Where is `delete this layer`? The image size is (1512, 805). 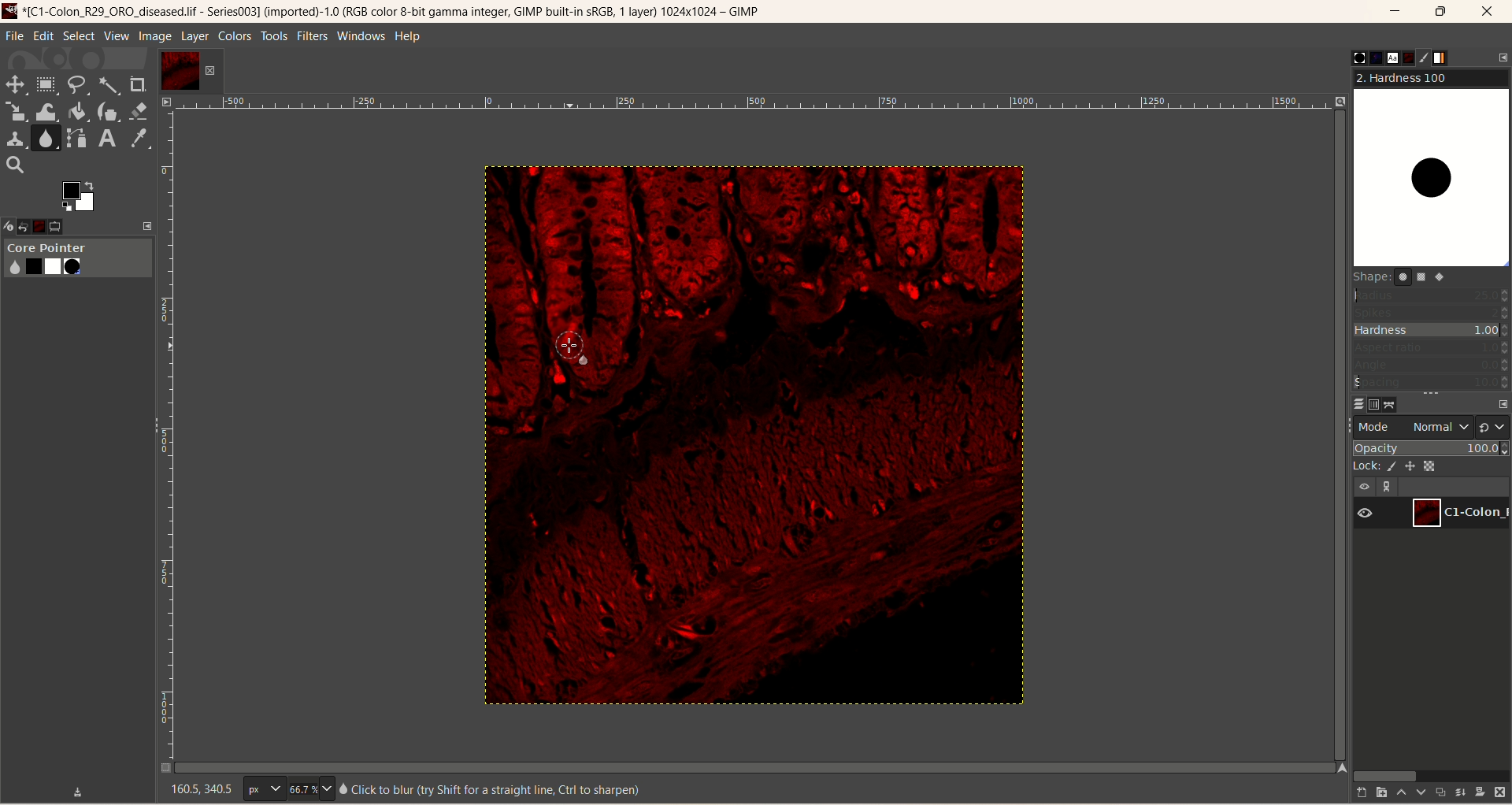 delete this layer is located at coordinates (1500, 792).